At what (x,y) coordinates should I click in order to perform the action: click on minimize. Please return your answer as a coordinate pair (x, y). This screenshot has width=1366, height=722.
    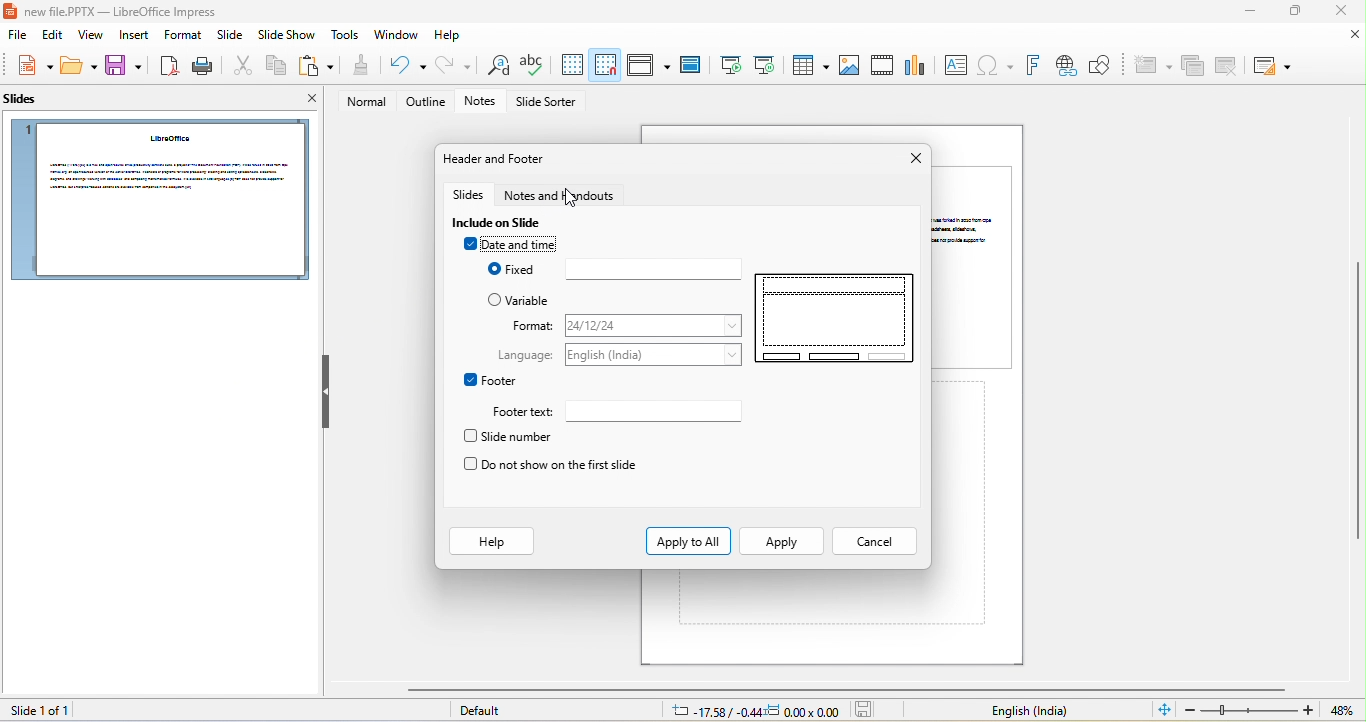
    Looking at the image, I should click on (1246, 13).